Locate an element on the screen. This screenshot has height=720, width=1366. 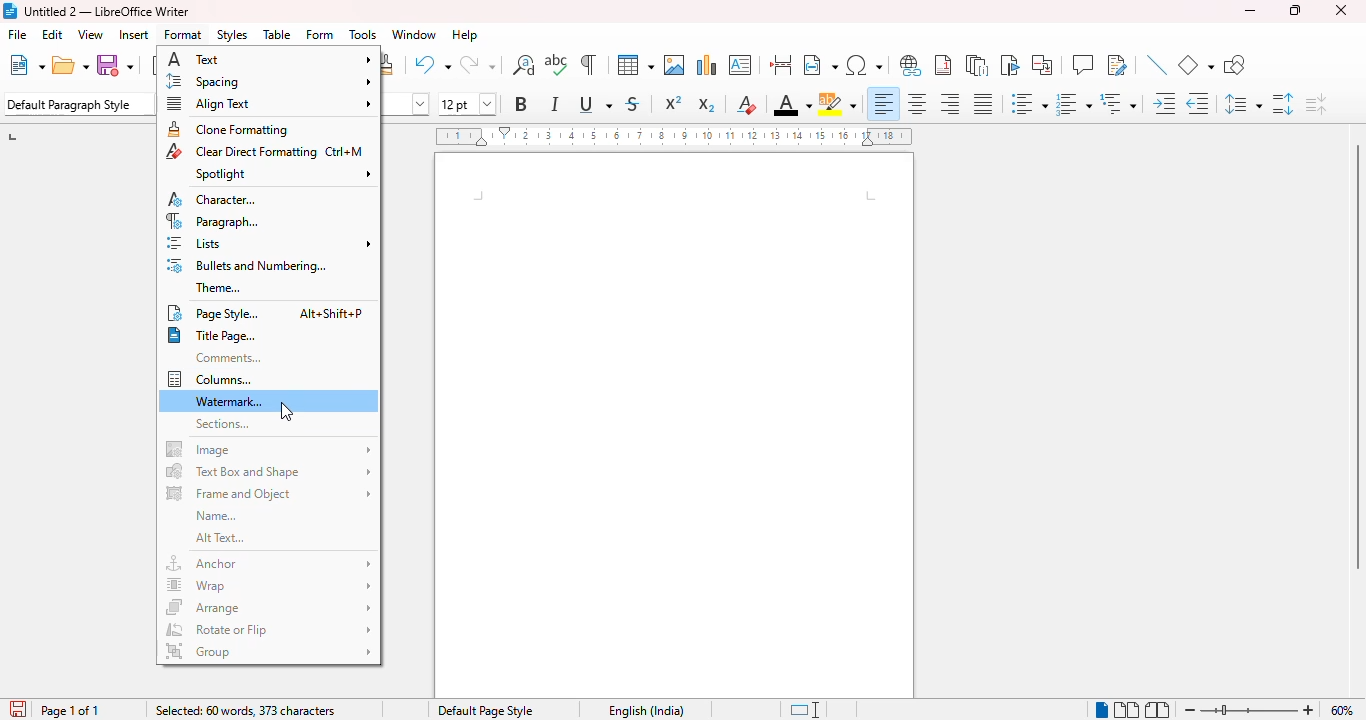
view is located at coordinates (90, 34).